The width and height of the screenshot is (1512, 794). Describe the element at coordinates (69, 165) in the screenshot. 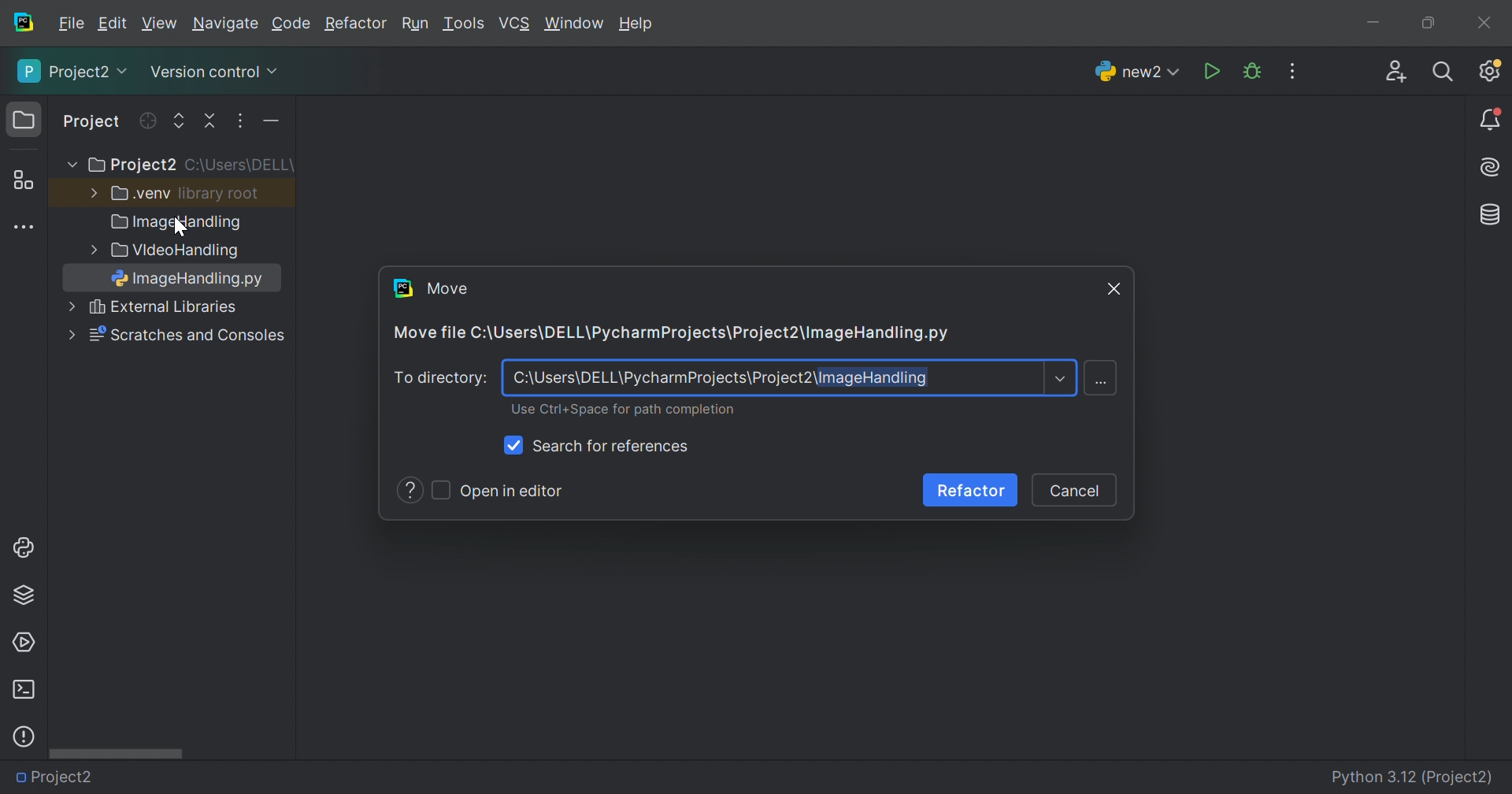

I see `More` at that location.